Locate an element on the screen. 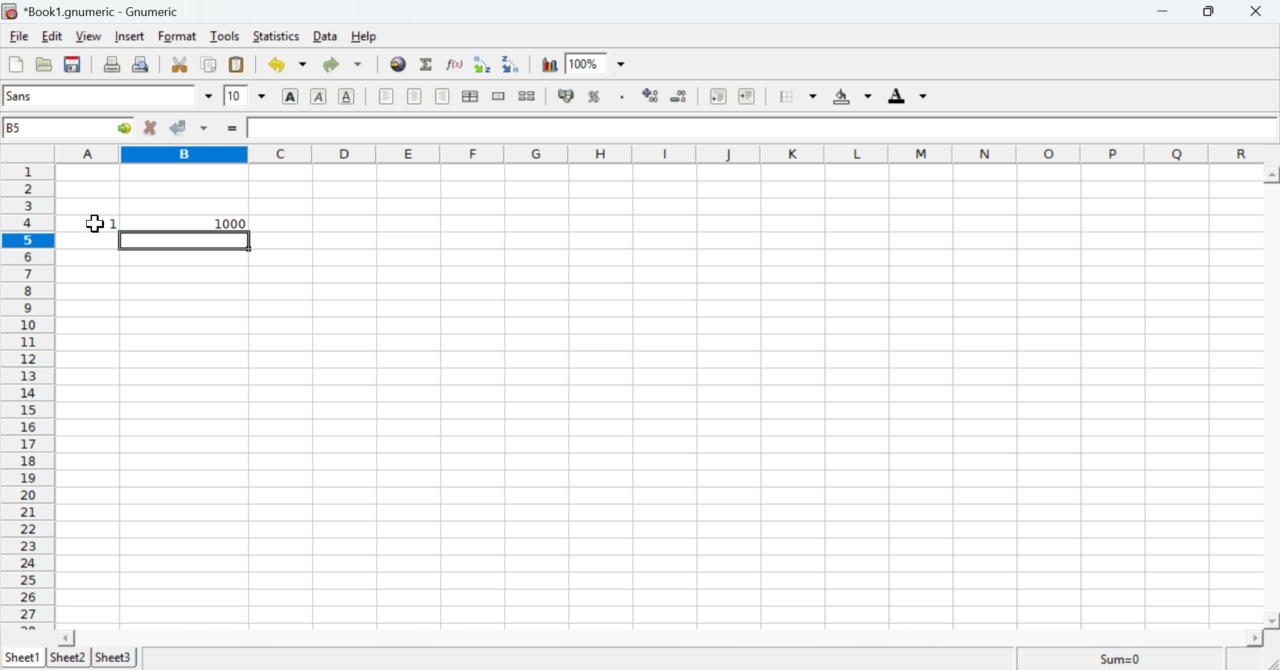 Image resolution: width=1280 pixels, height=670 pixels. Split merged range of cells is located at coordinates (527, 95).